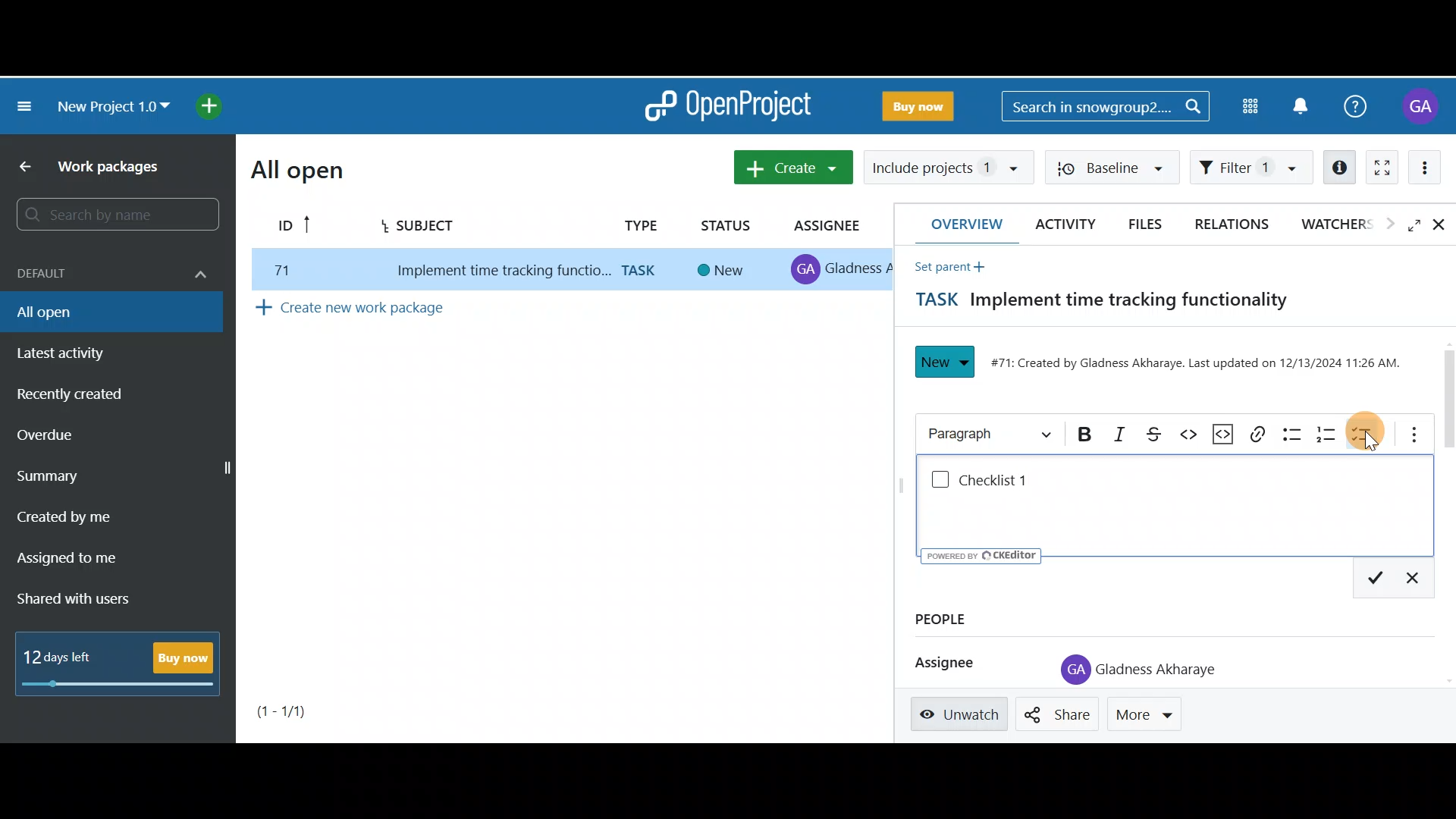 This screenshot has height=819, width=1456. Describe the element at coordinates (442, 230) in the screenshot. I see `Subject` at that location.